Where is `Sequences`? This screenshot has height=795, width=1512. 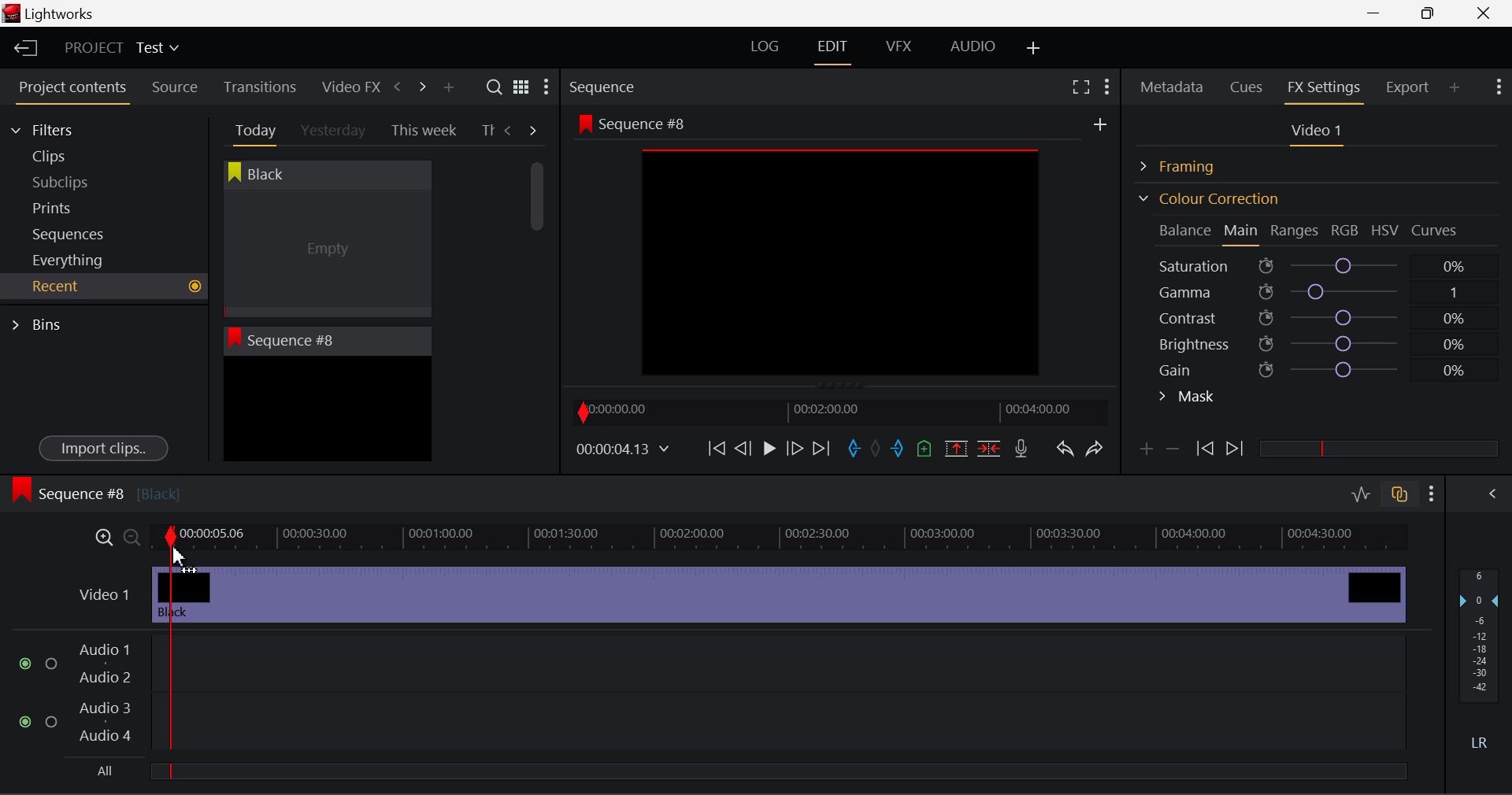
Sequences is located at coordinates (72, 232).